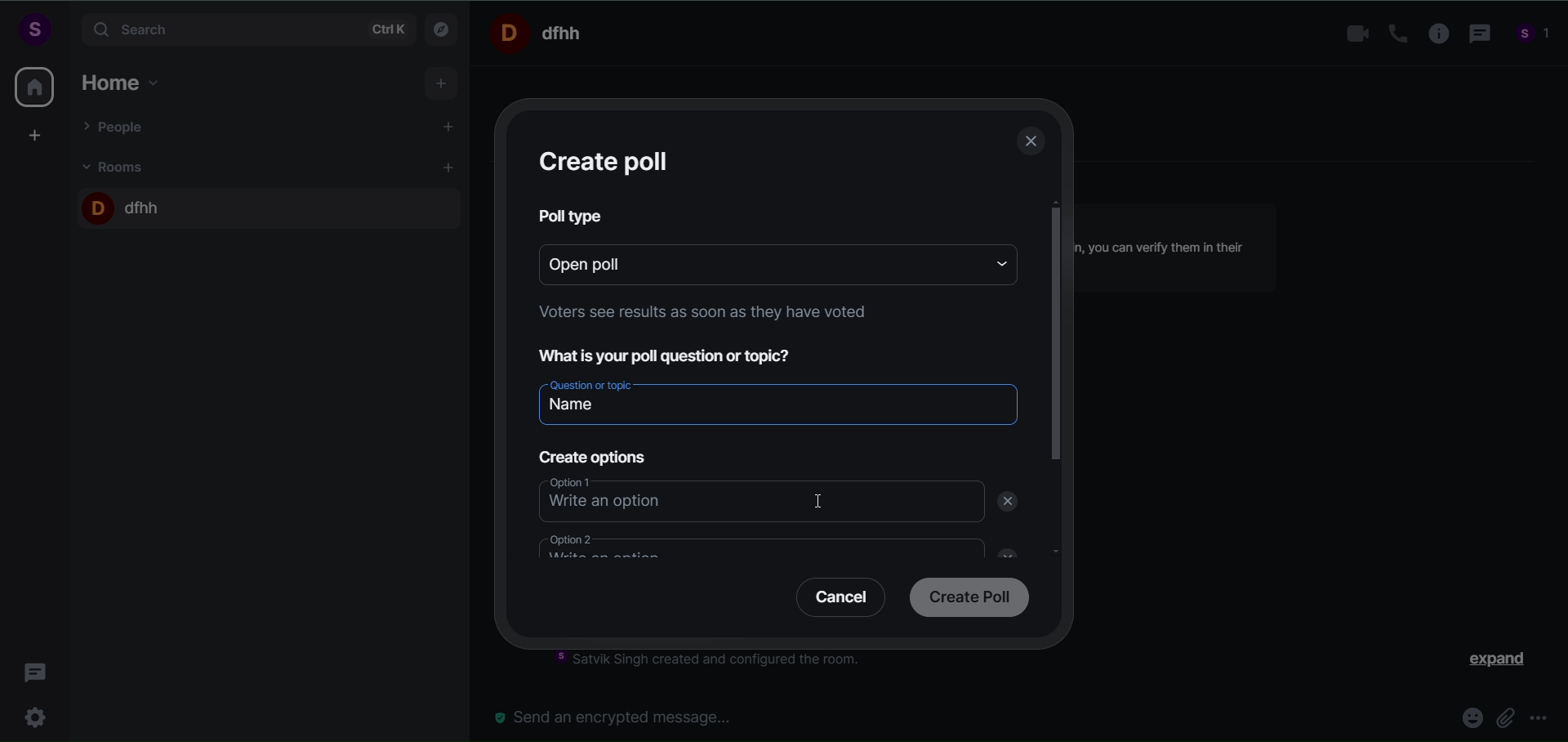 This screenshot has width=1568, height=742. I want to click on attachment, so click(1508, 717).